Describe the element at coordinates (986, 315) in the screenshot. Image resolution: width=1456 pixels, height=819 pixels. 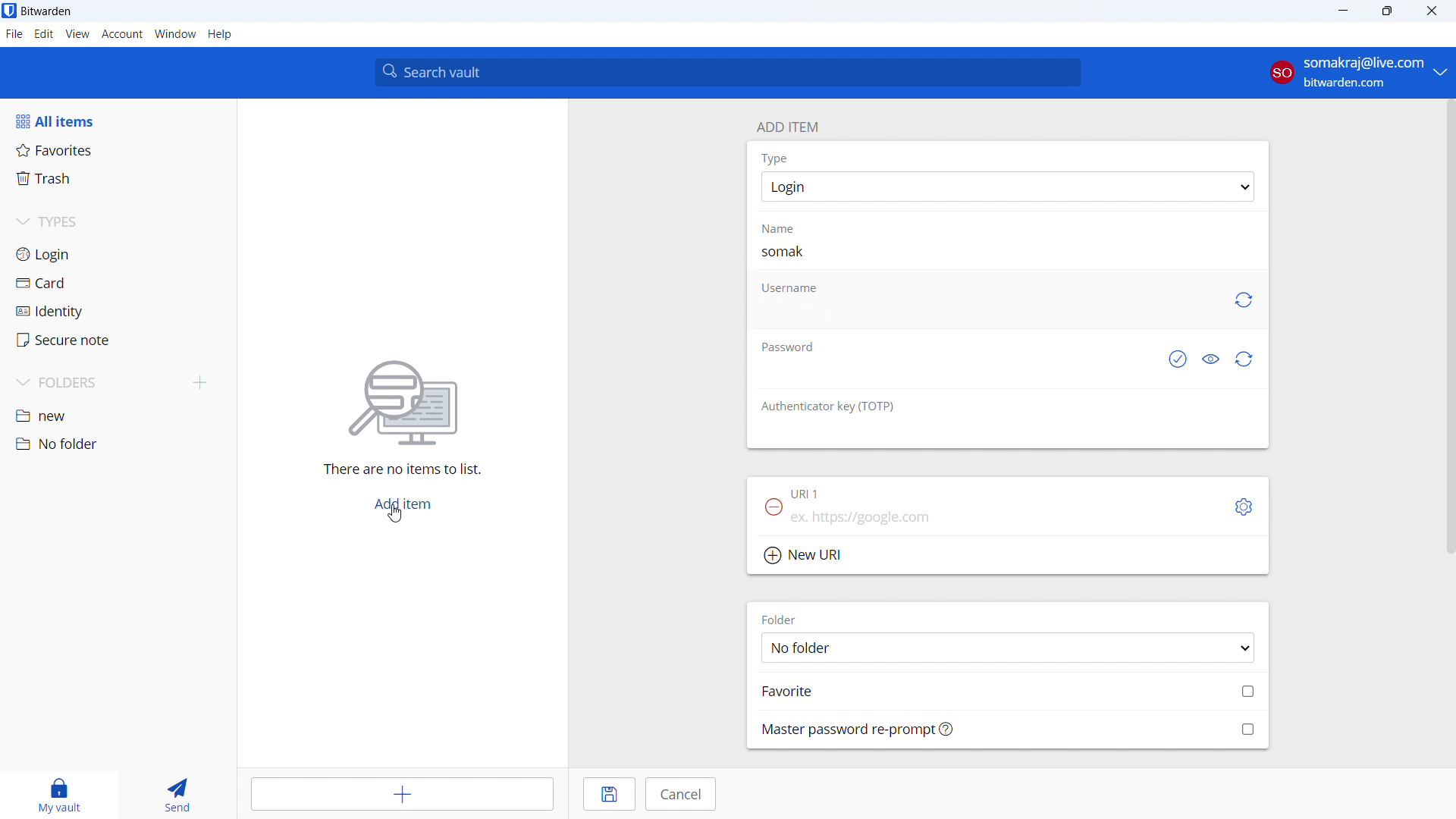
I see `username selected to type` at that location.